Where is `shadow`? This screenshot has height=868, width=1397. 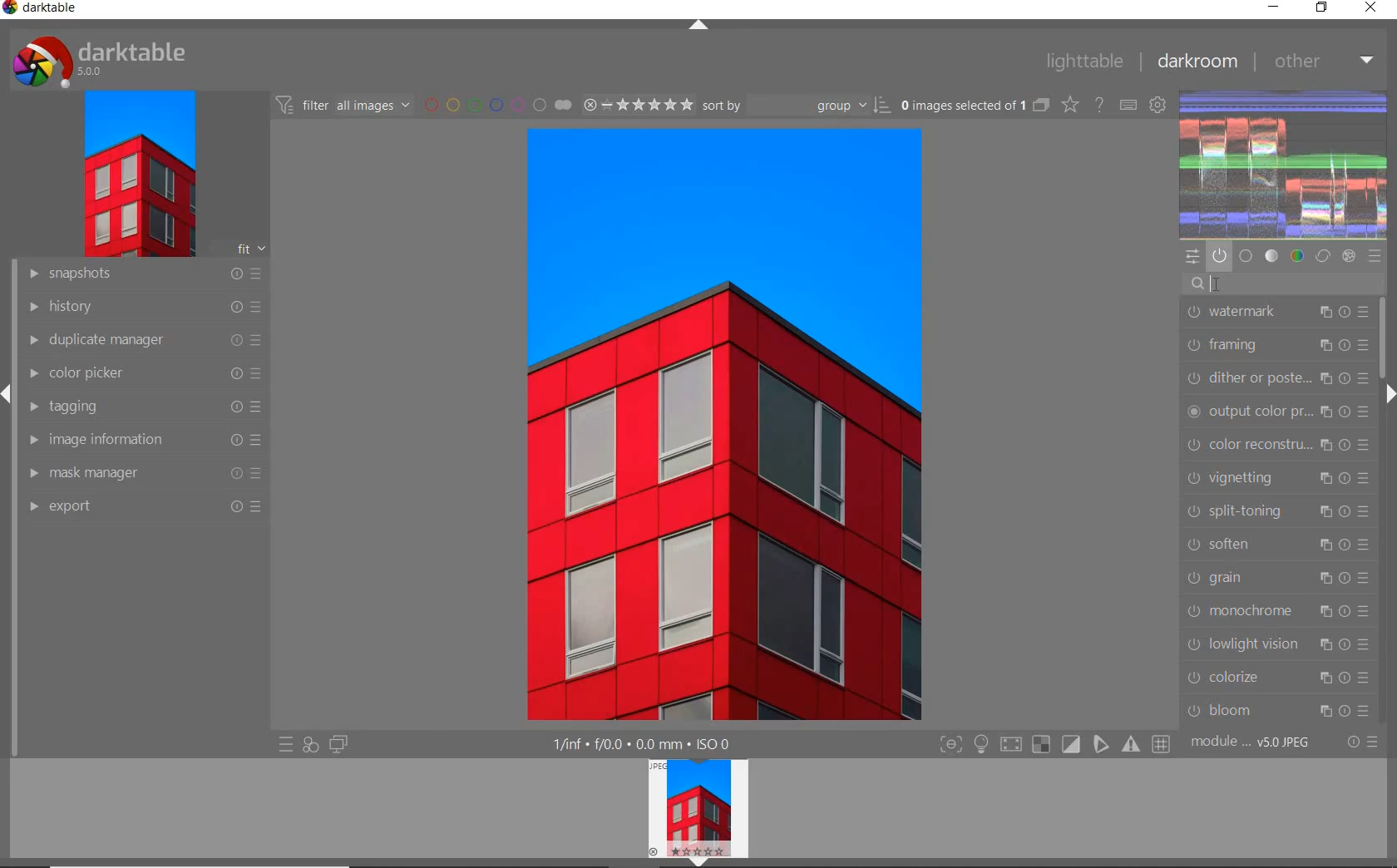
shadow is located at coordinates (1009, 745).